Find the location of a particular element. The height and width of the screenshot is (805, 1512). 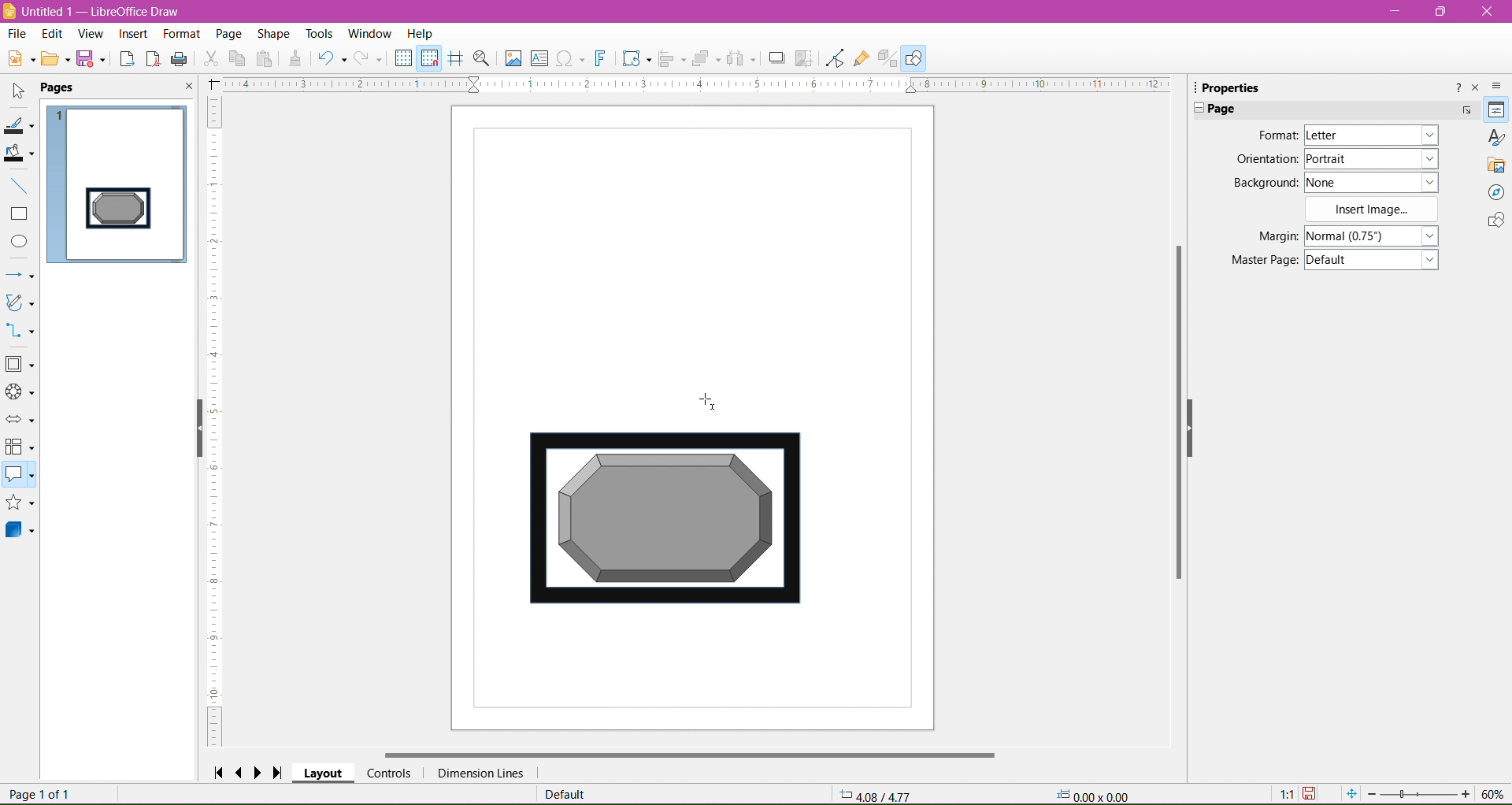

Close sidebar deck is located at coordinates (1477, 88).